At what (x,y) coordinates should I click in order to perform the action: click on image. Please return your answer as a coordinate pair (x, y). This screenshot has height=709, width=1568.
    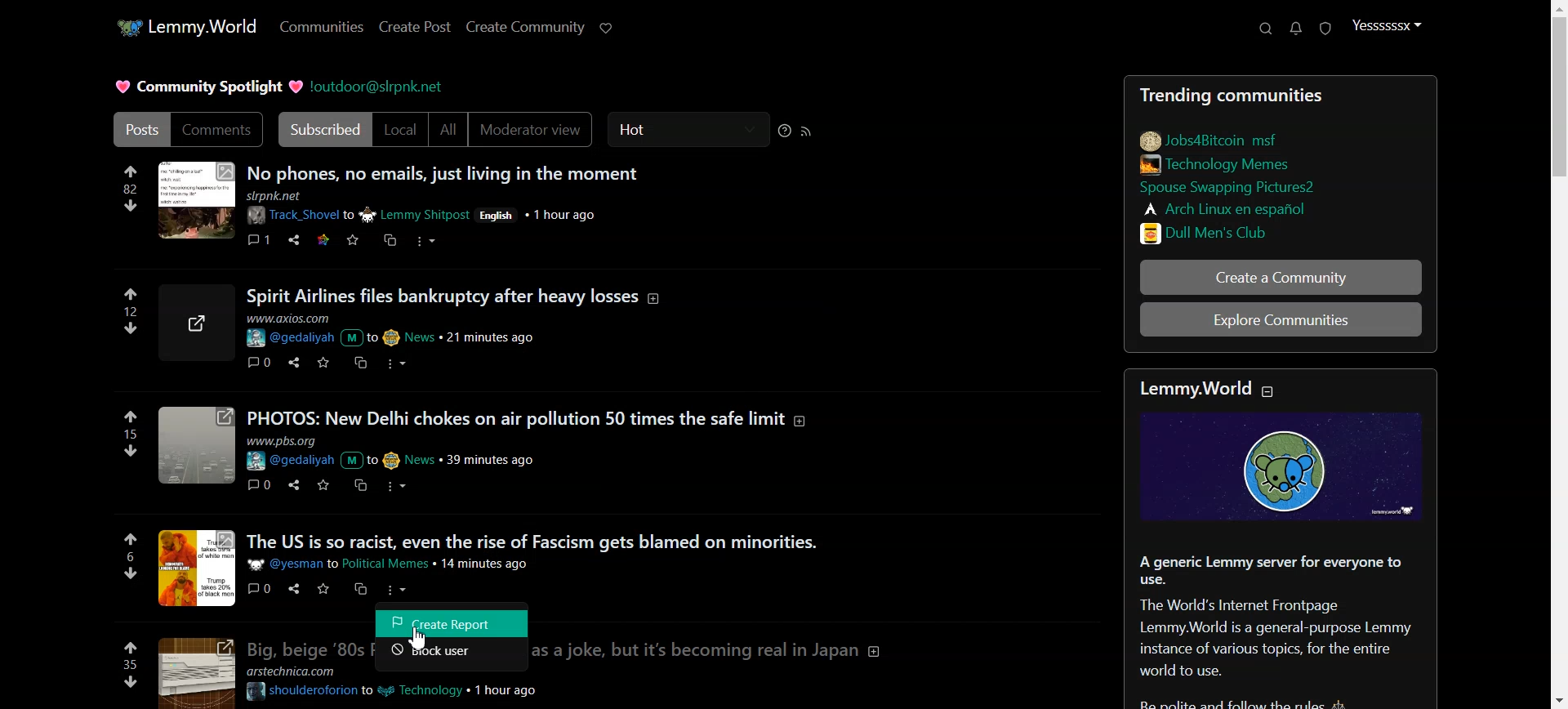
    Looking at the image, I should click on (195, 448).